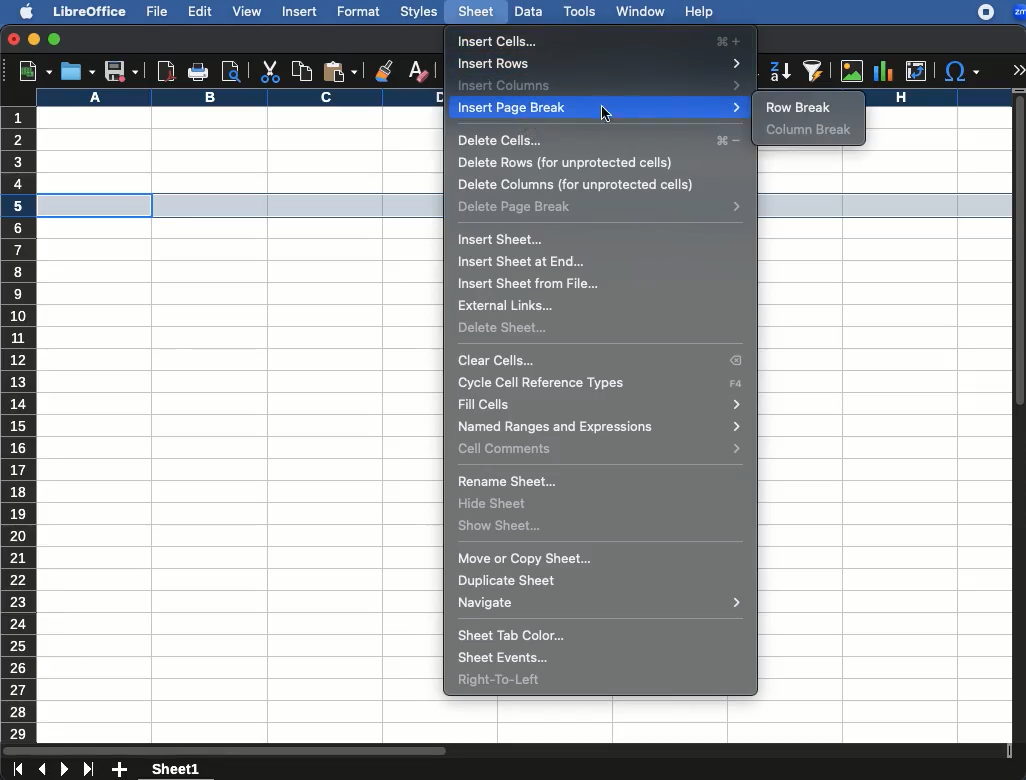  What do you see at coordinates (120, 771) in the screenshot?
I see `add` at bounding box center [120, 771].